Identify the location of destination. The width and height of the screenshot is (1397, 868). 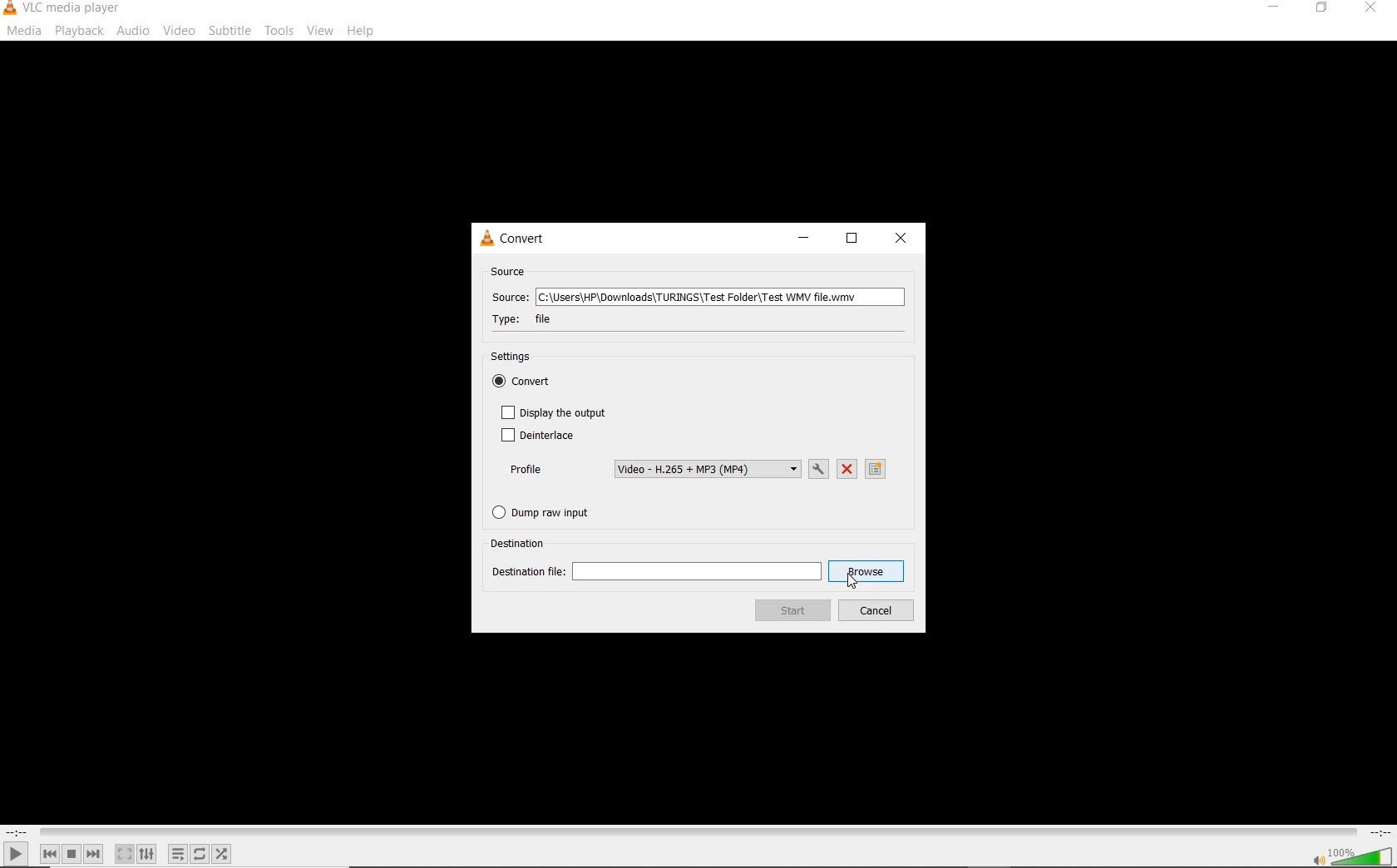
(521, 542).